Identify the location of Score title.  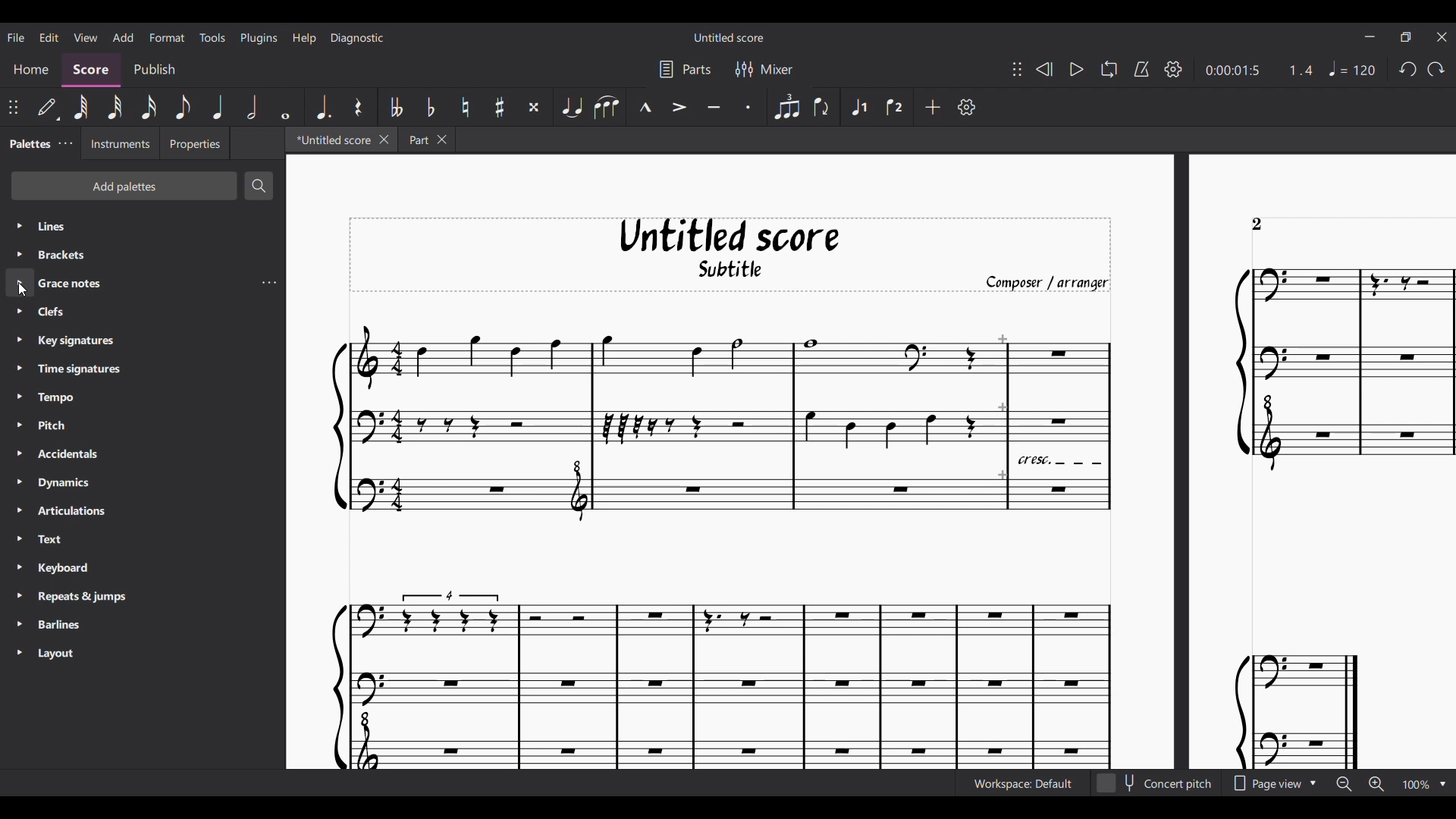
(728, 37).